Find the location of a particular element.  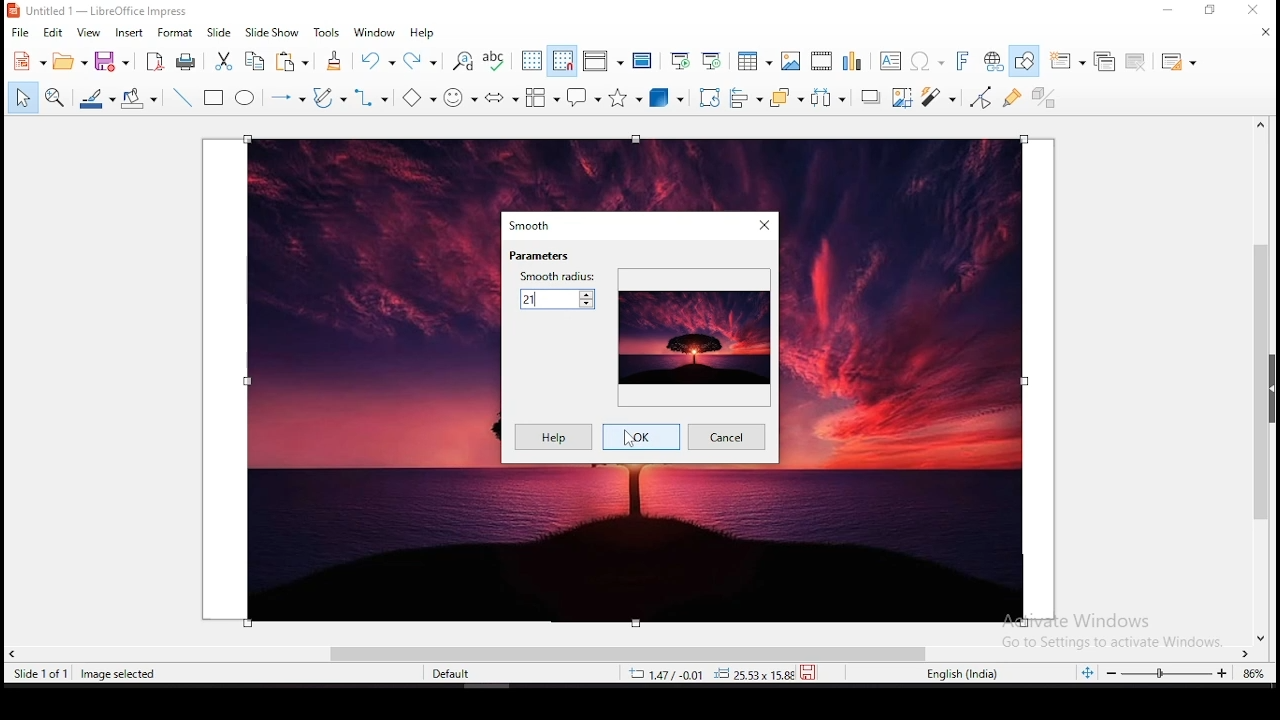

basic shapes is located at coordinates (419, 97).